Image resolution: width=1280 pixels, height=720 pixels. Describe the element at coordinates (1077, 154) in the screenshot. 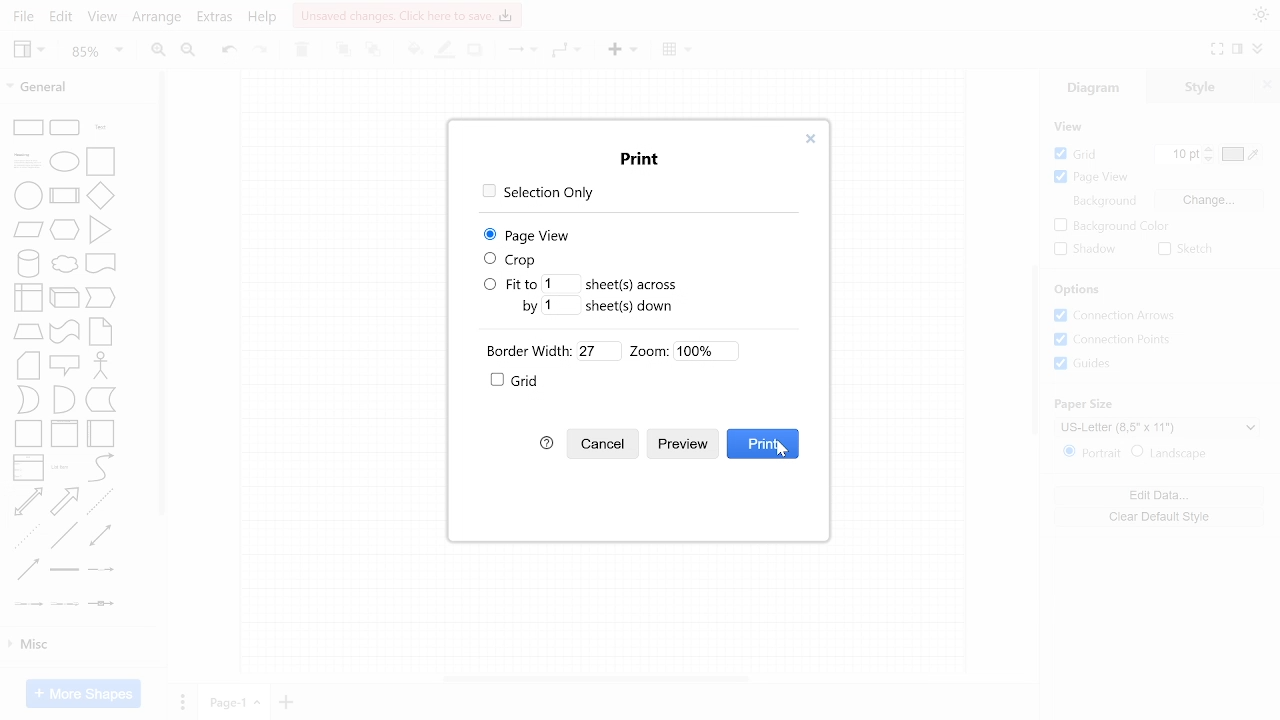

I see `Grid ` at that location.